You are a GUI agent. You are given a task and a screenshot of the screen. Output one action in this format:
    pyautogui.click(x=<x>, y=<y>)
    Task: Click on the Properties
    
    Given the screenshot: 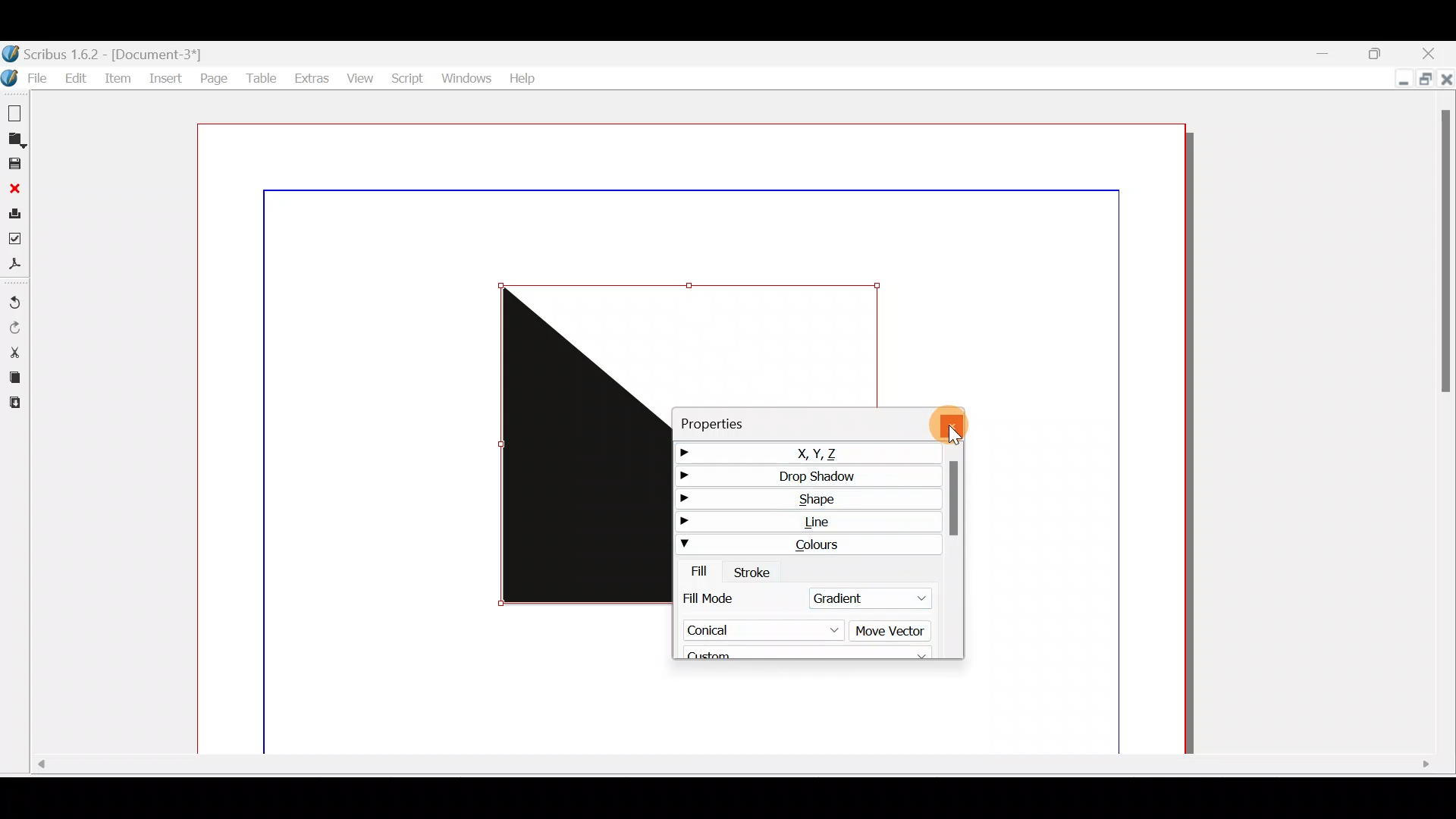 What is the action you would take?
    pyautogui.click(x=745, y=421)
    